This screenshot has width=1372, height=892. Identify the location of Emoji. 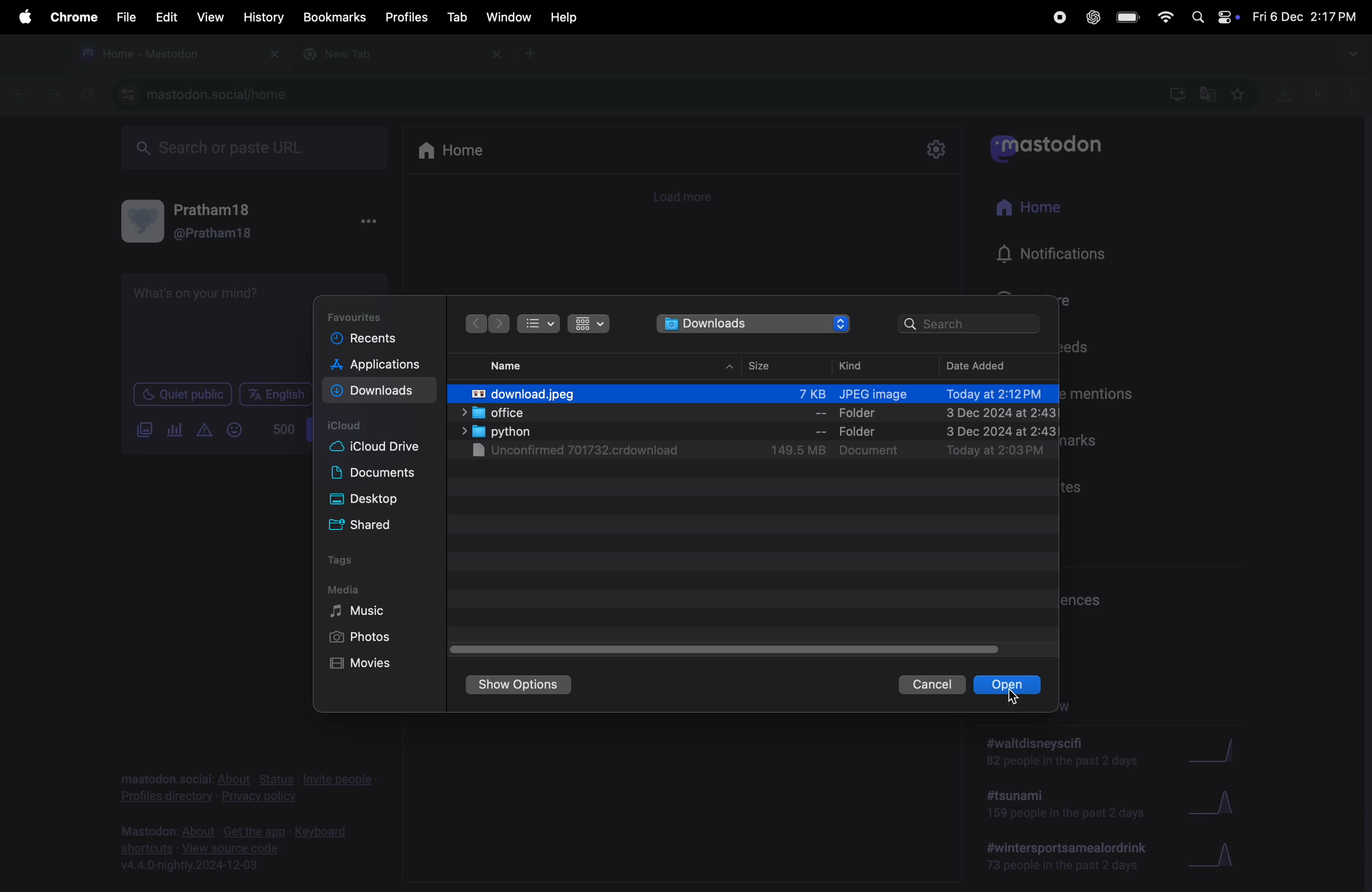
(235, 430).